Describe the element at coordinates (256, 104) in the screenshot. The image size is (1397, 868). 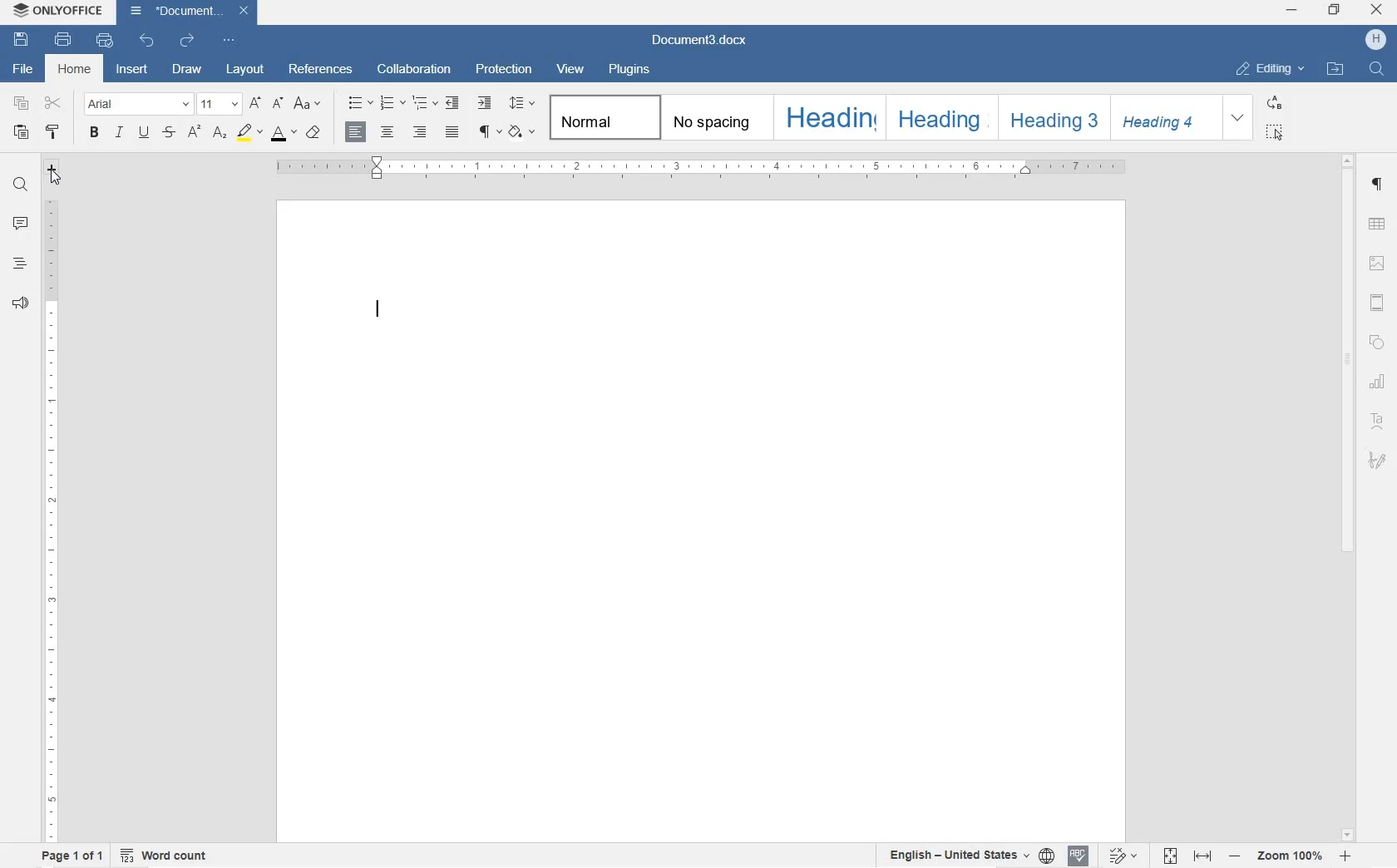
I see `INCREMENT FONT SIZE` at that location.